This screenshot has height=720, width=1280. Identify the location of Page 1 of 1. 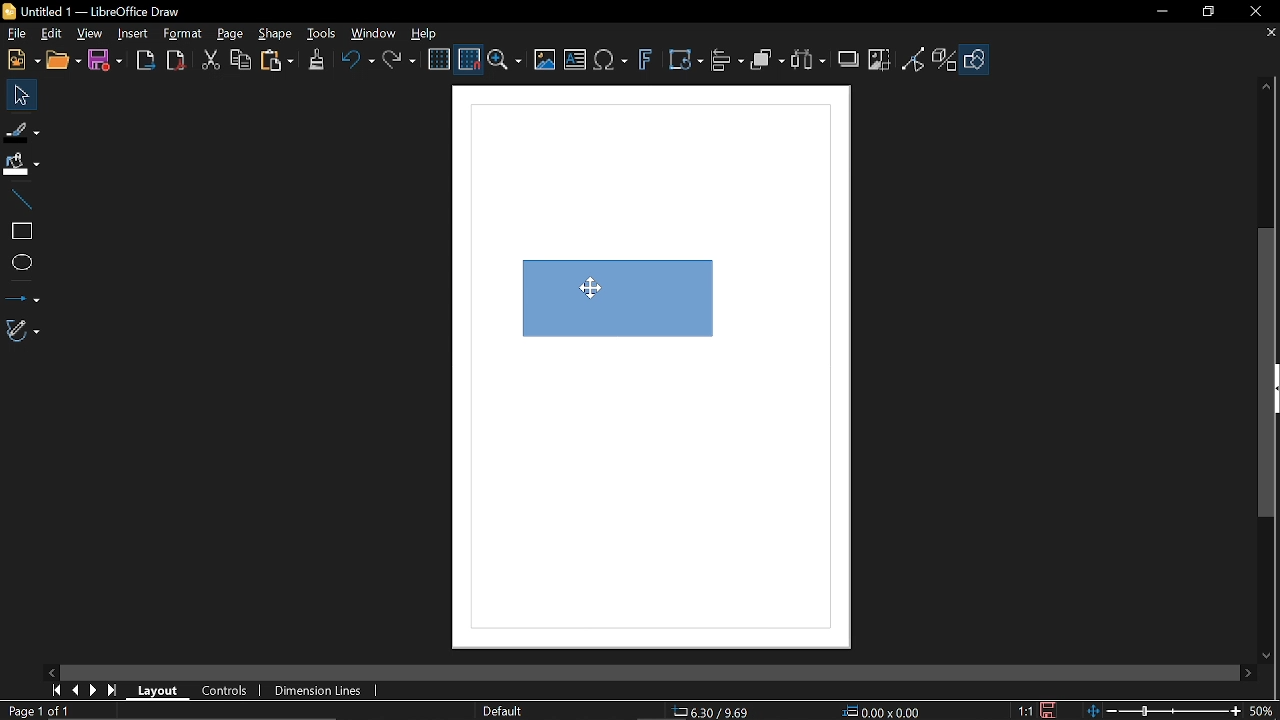
(38, 712).